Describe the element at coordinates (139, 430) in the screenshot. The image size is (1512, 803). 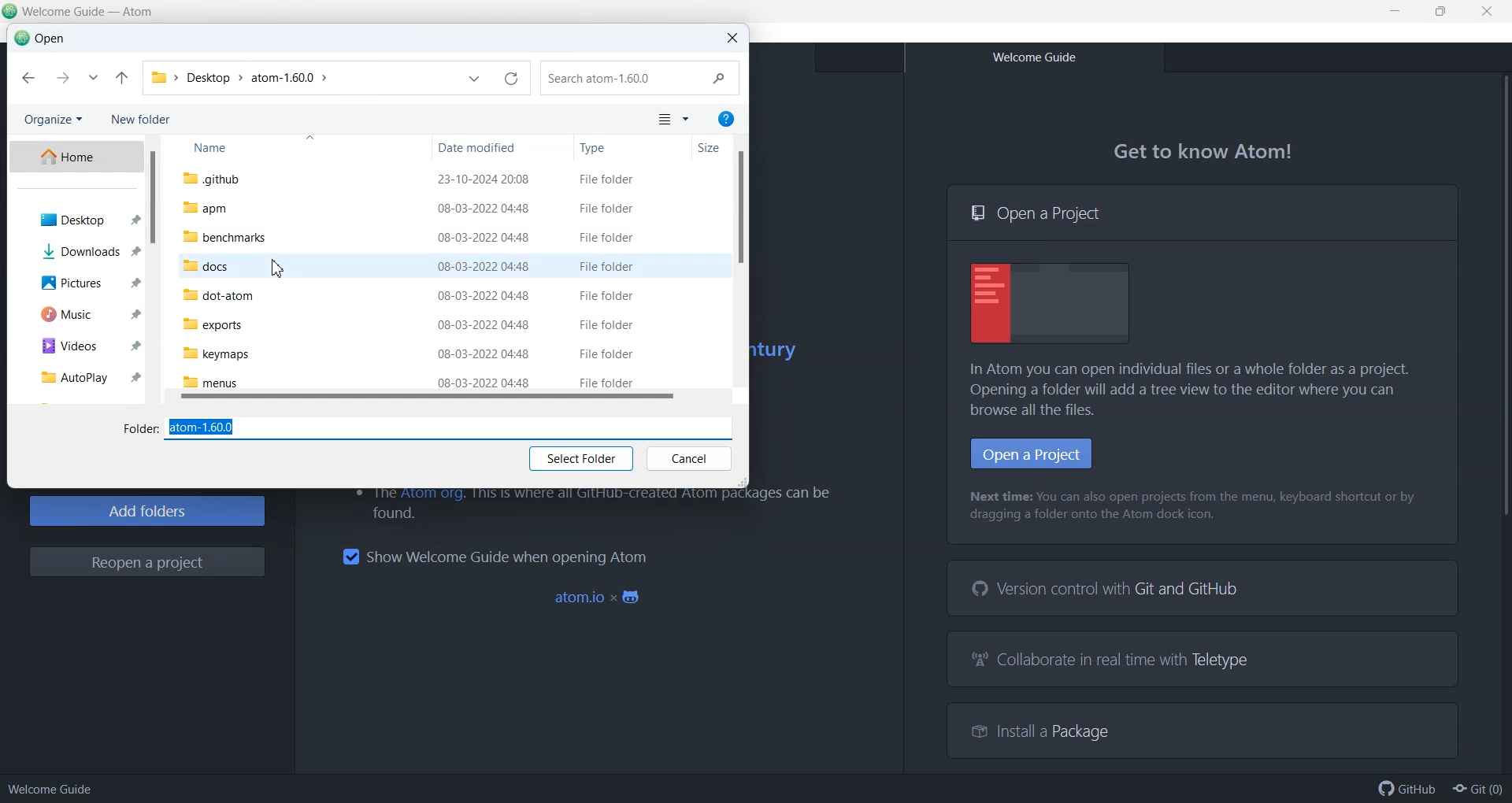
I see `Folder ` at that location.